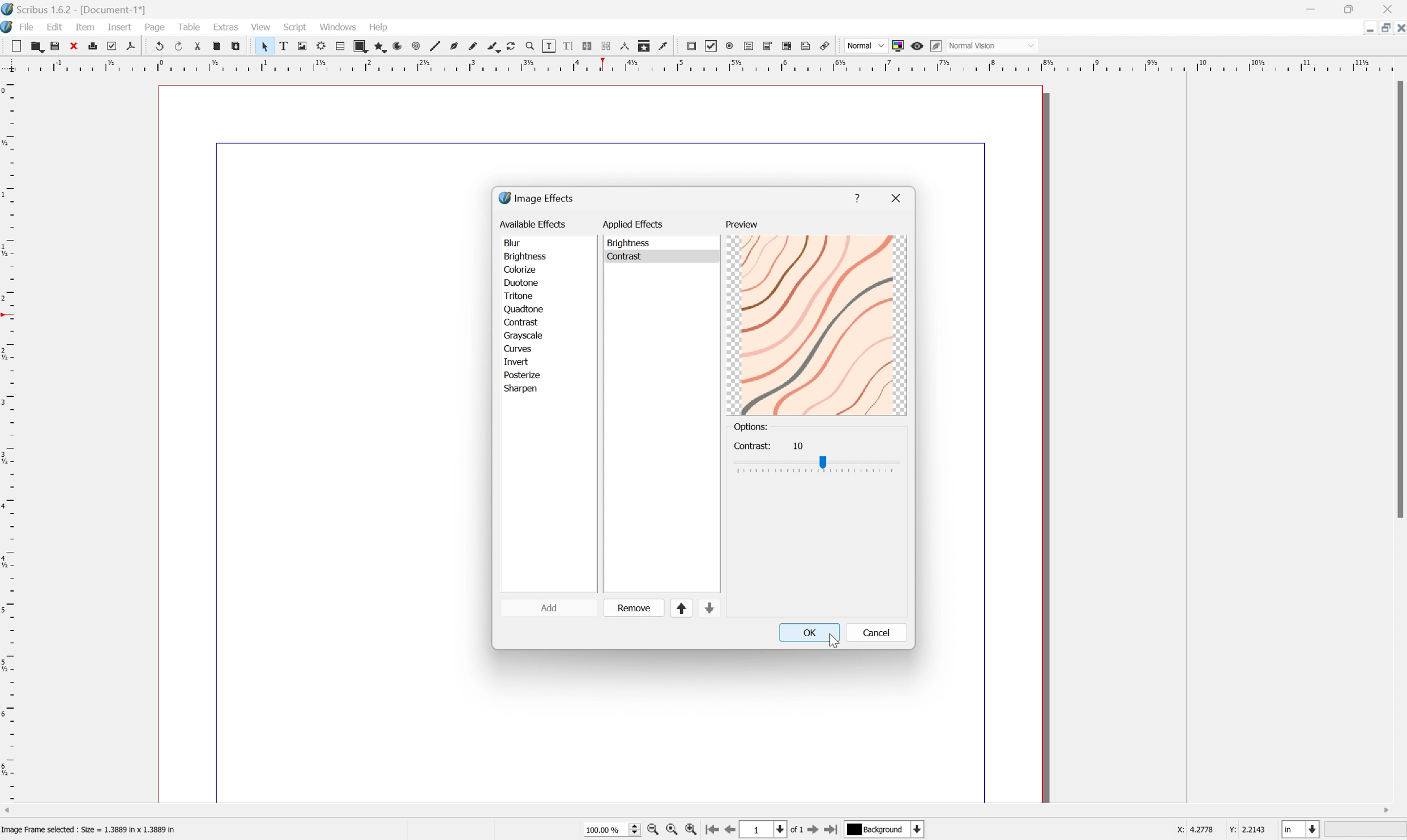 The image size is (1407, 840). Describe the element at coordinates (1368, 31) in the screenshot. I see `Restore Down` at that location.